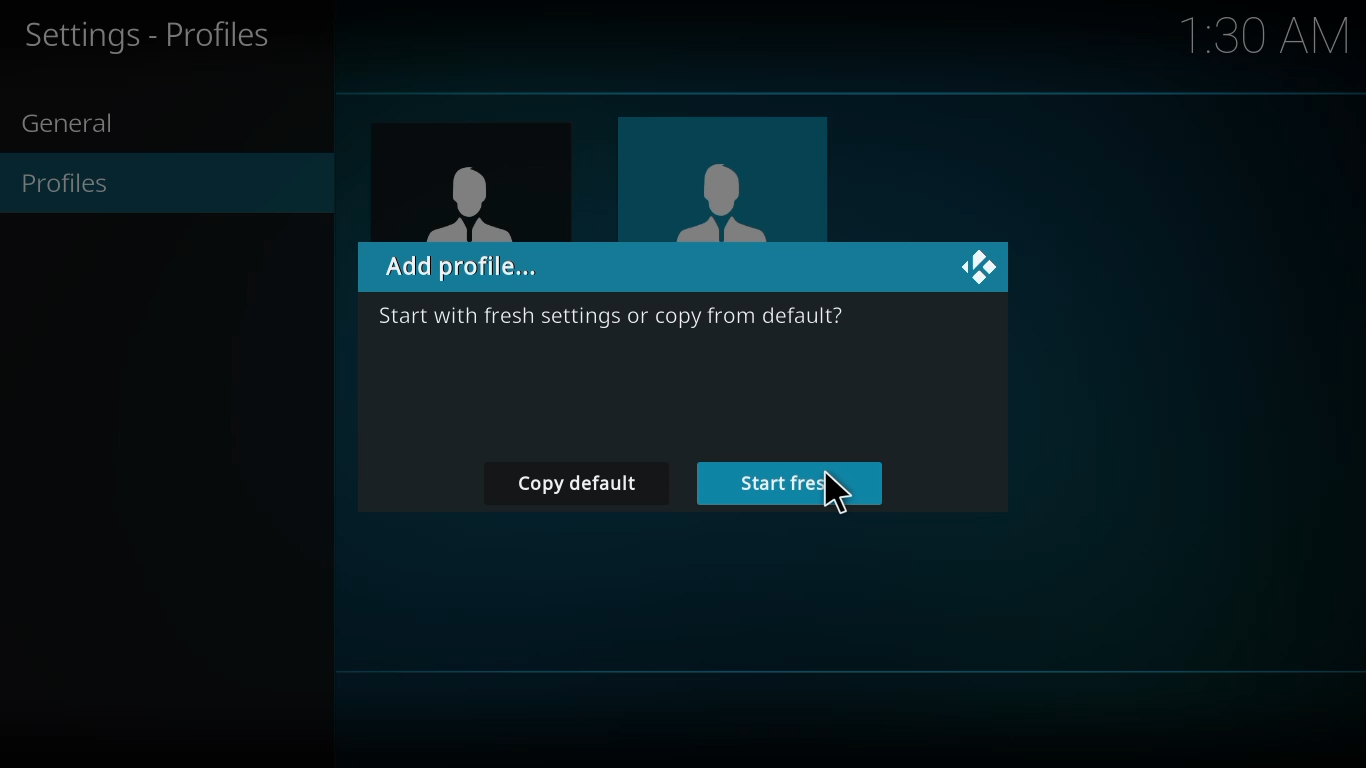 Image resolution: width=1366 pixels, height=768 pixels. I want to click on info, so click(620, 319).